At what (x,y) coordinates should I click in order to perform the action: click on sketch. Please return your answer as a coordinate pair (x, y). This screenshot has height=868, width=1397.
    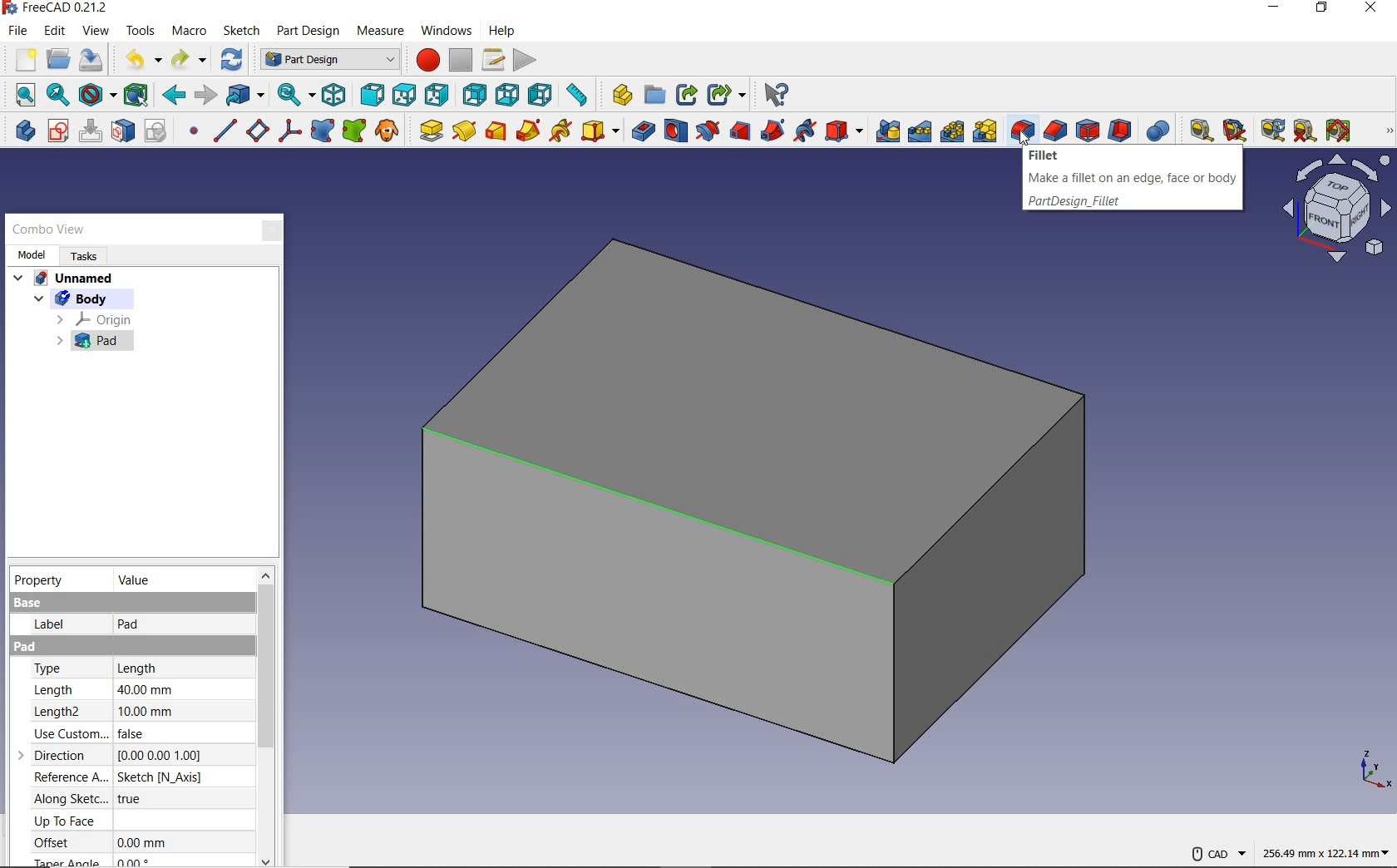
    Looking at the image, I should click on (241, 32).